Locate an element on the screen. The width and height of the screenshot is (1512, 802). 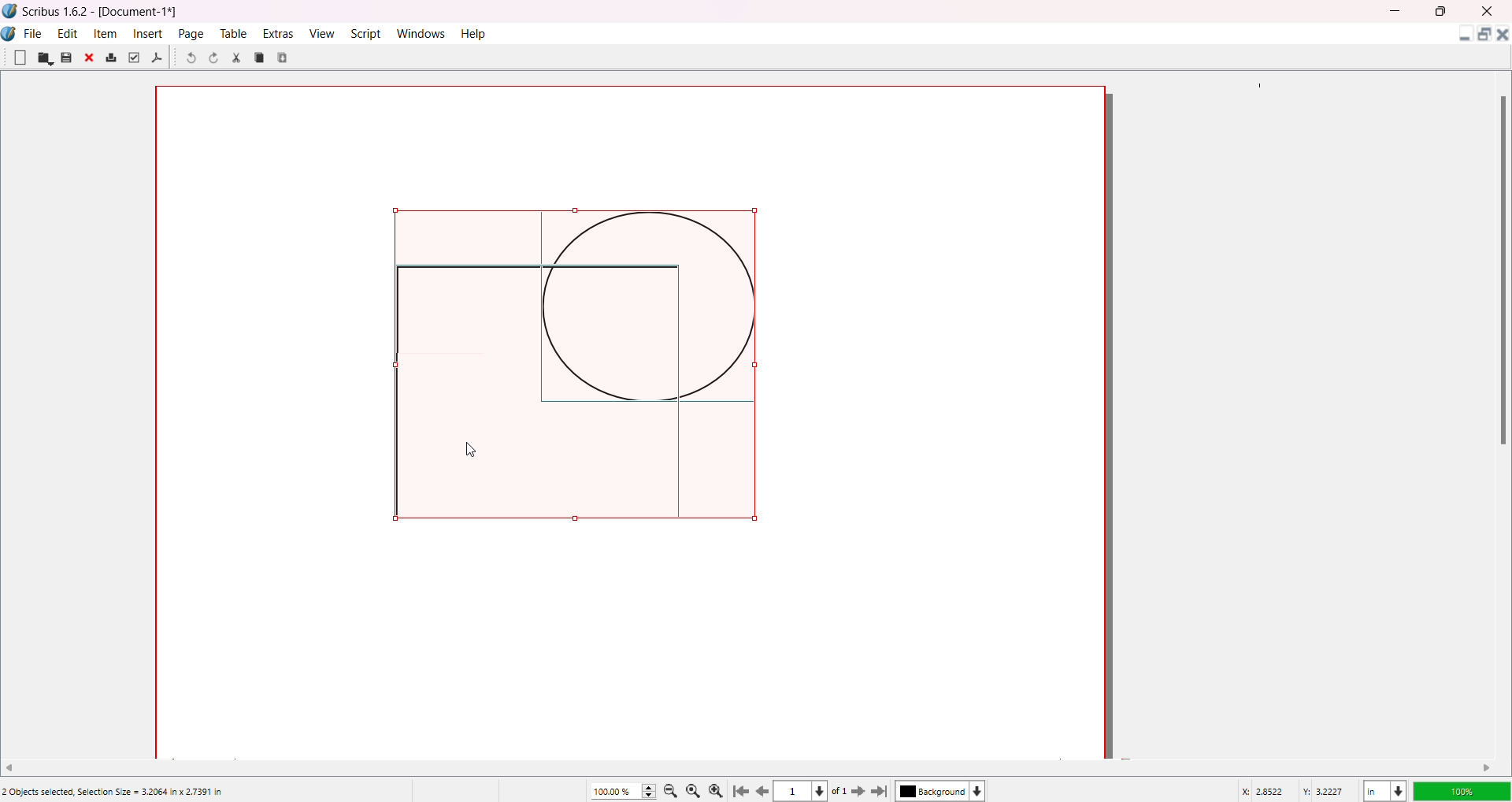
Script is located at coordinates (368, 32).